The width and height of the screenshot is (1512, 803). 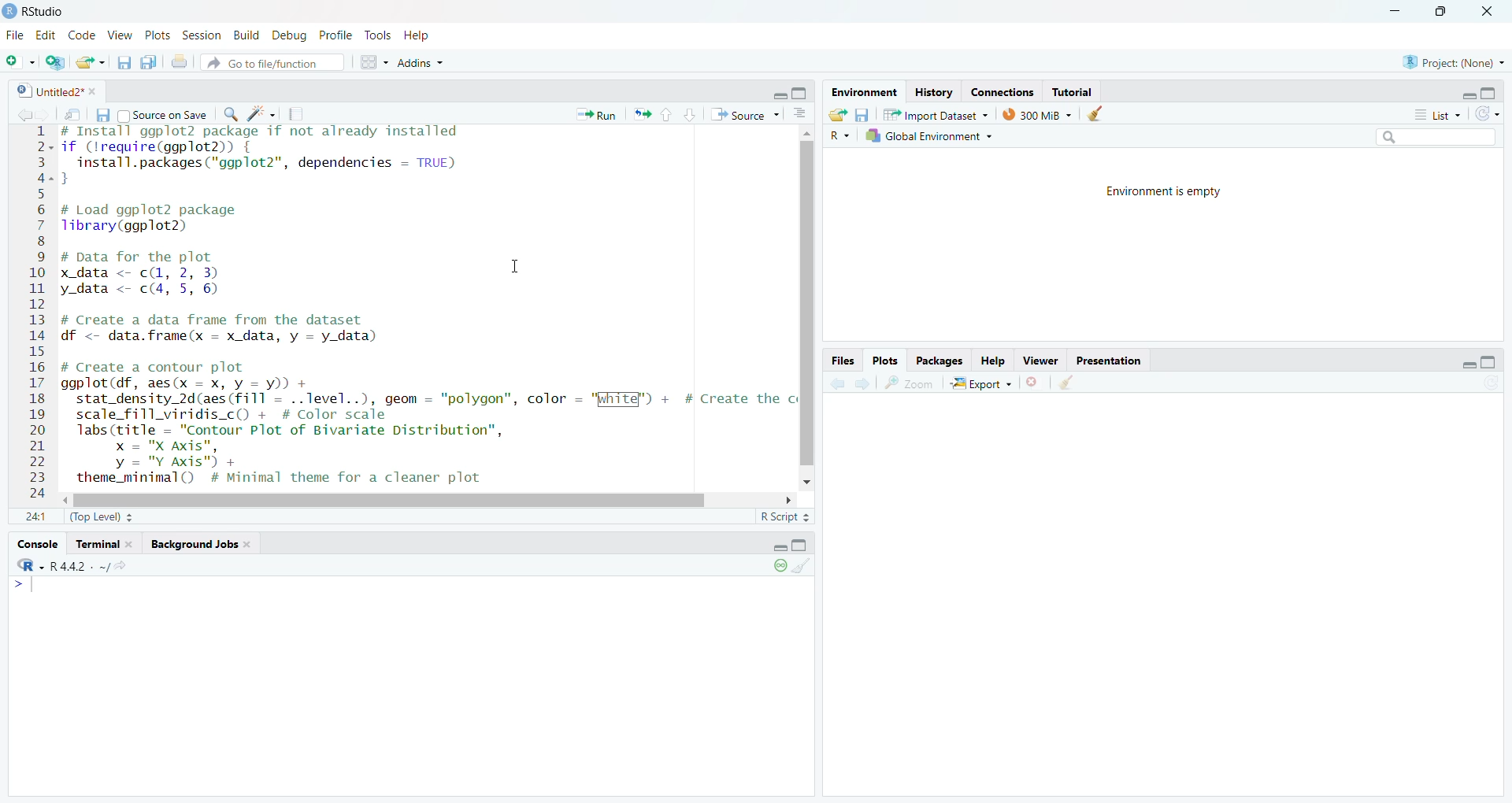 What do you see at coordinates (909, 383) in the screenshot?
I see `zoom` at bounding box center [909, 383].